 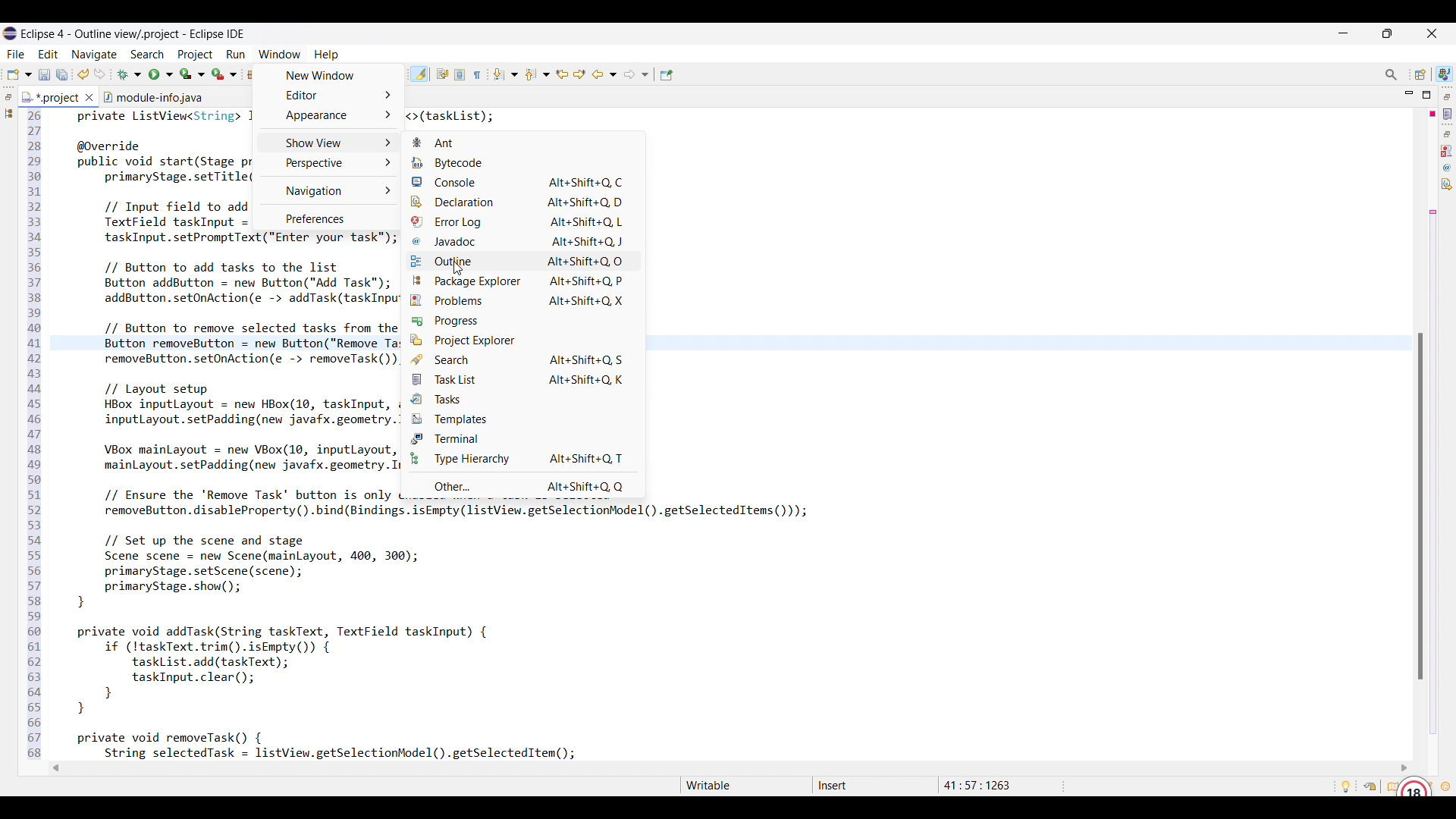 What do you see at coordinates (1392, 75) in the screenshot?
I see `Access commands and other items ` at bounding box center [1392, 75].